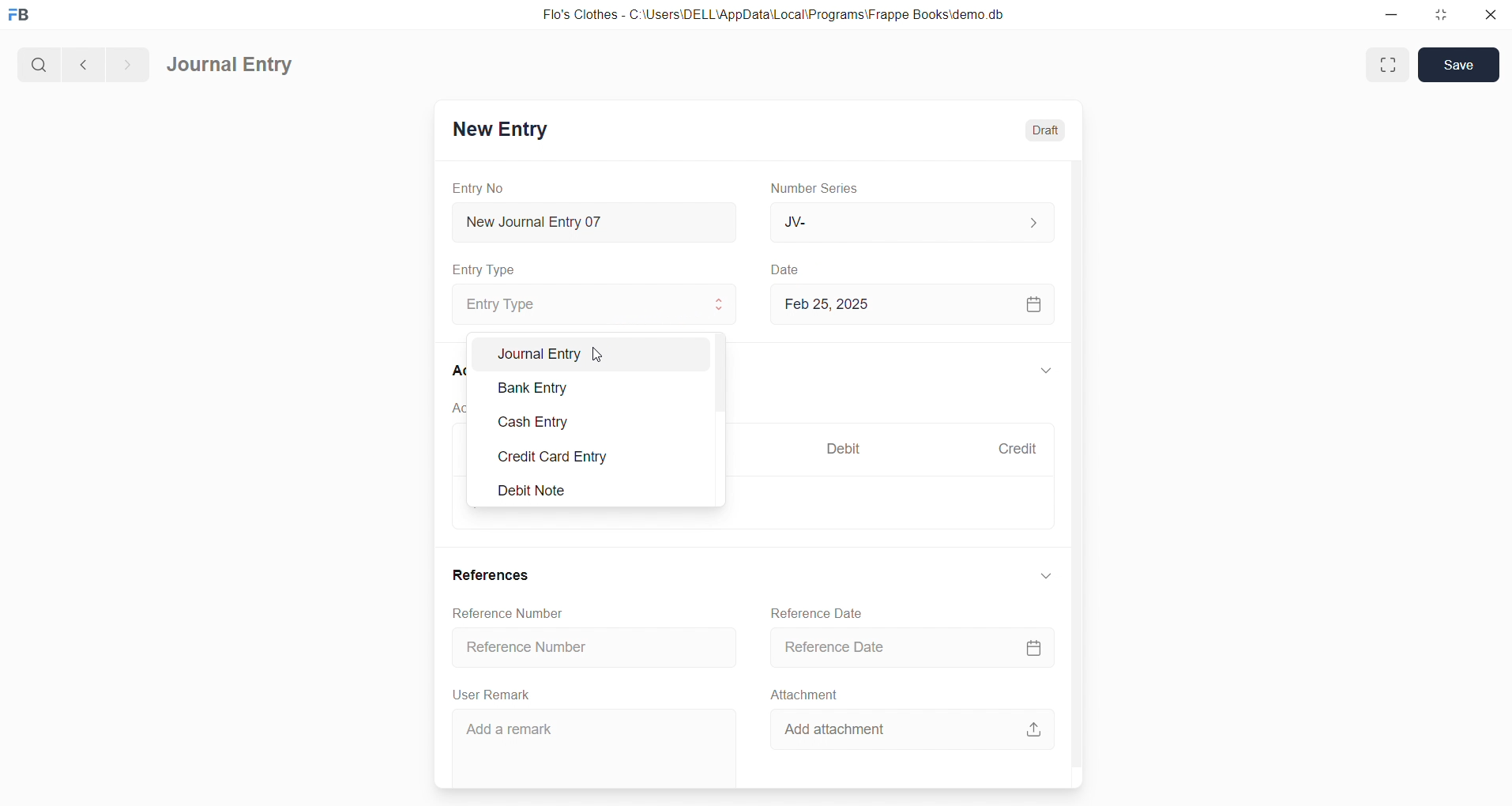 Image resolution: width=1512 pixels, height=806 pixels. What do you see at coordinates (460, 411) in the screenshot?
I see `Account Entries` at bounding box center [460, 411].